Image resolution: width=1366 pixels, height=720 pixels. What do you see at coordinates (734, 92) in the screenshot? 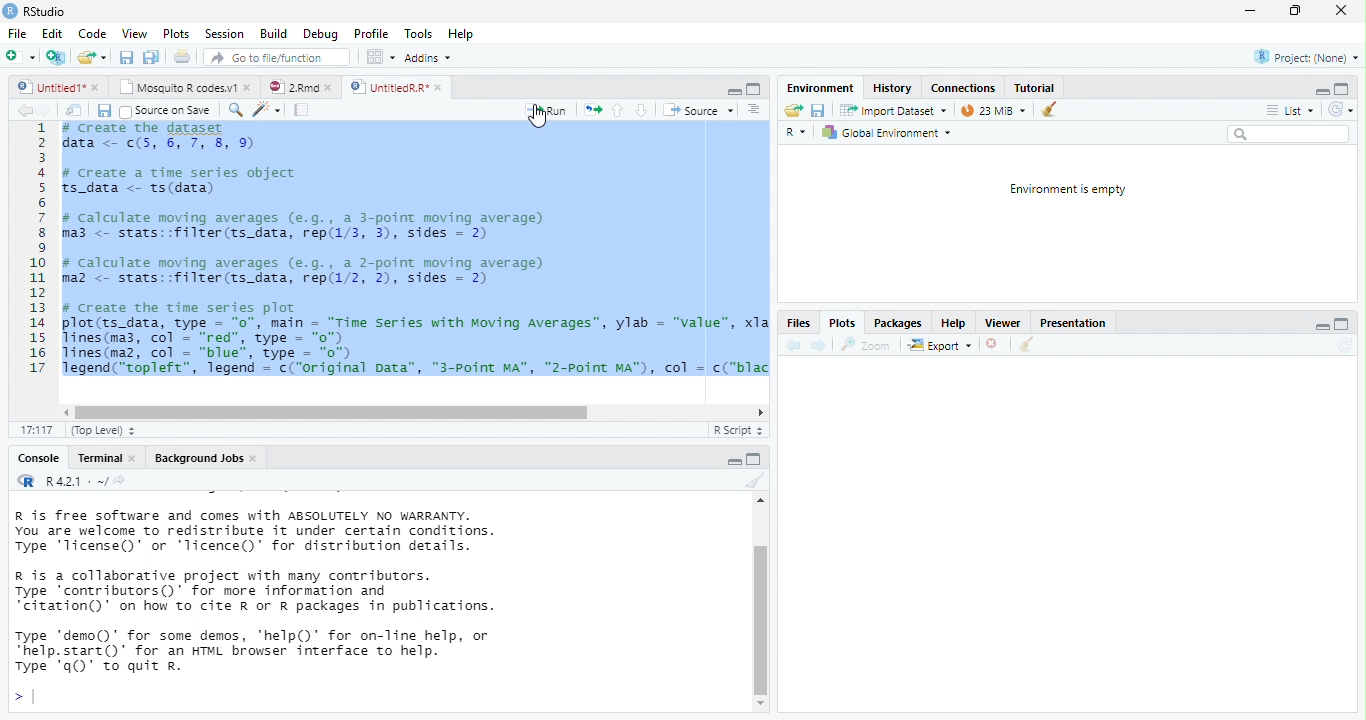
I see `minimize` at bounding box center [734, 92].